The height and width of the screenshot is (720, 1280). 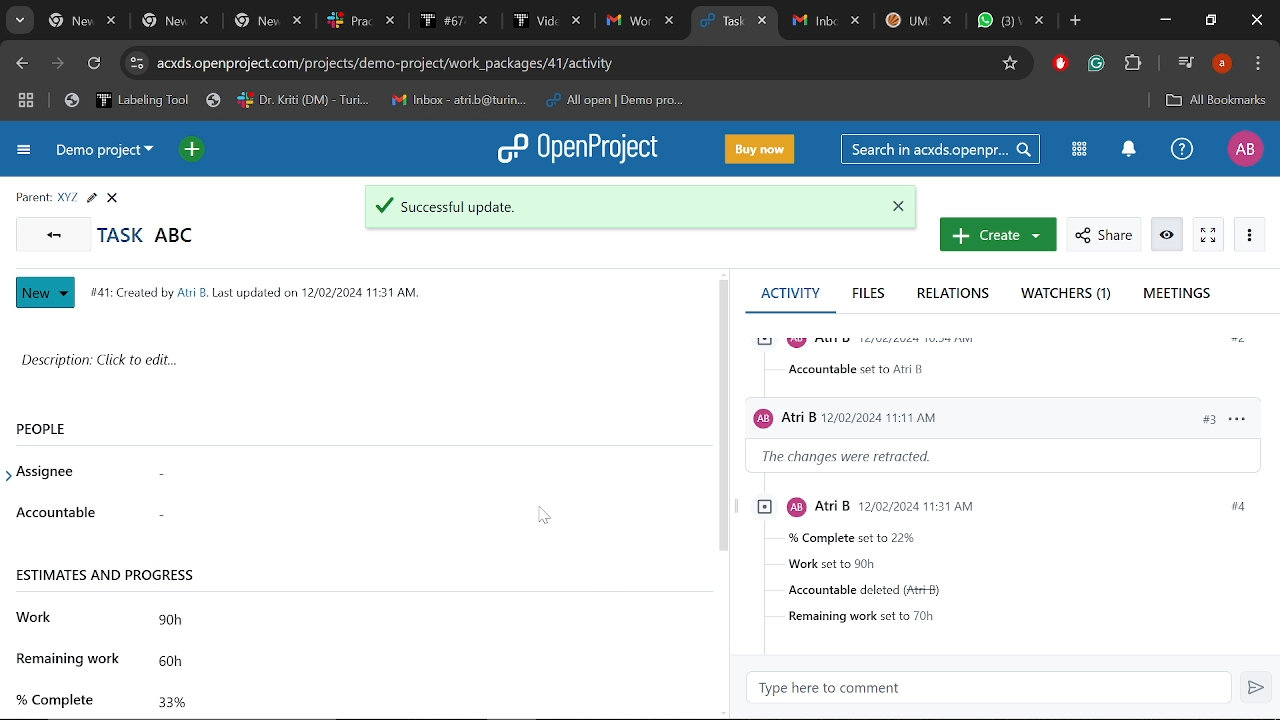 I want to click on Update successful, so click(x=617, y=204).